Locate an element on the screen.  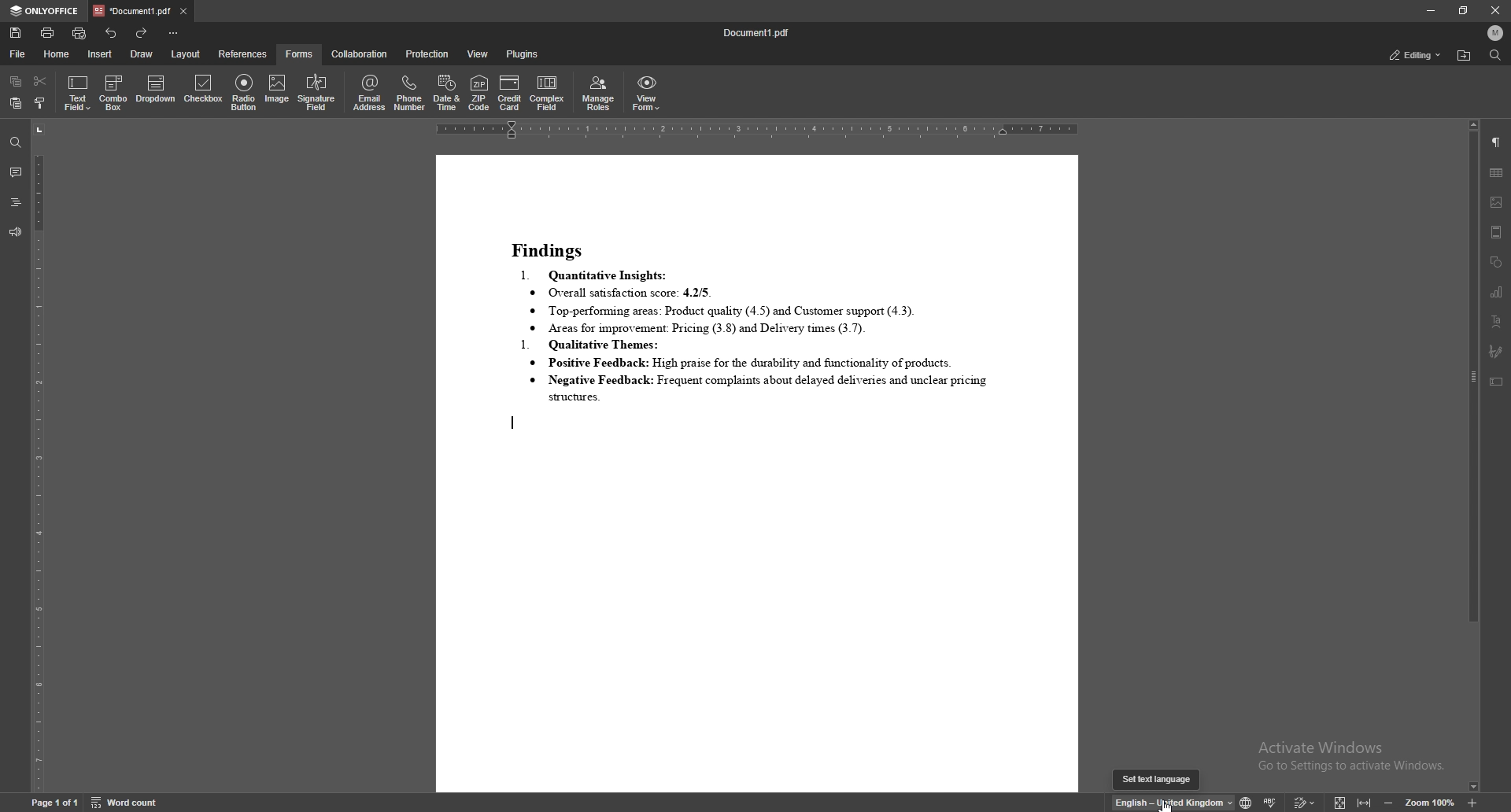
spell check is located at coordinates (1271, 802).